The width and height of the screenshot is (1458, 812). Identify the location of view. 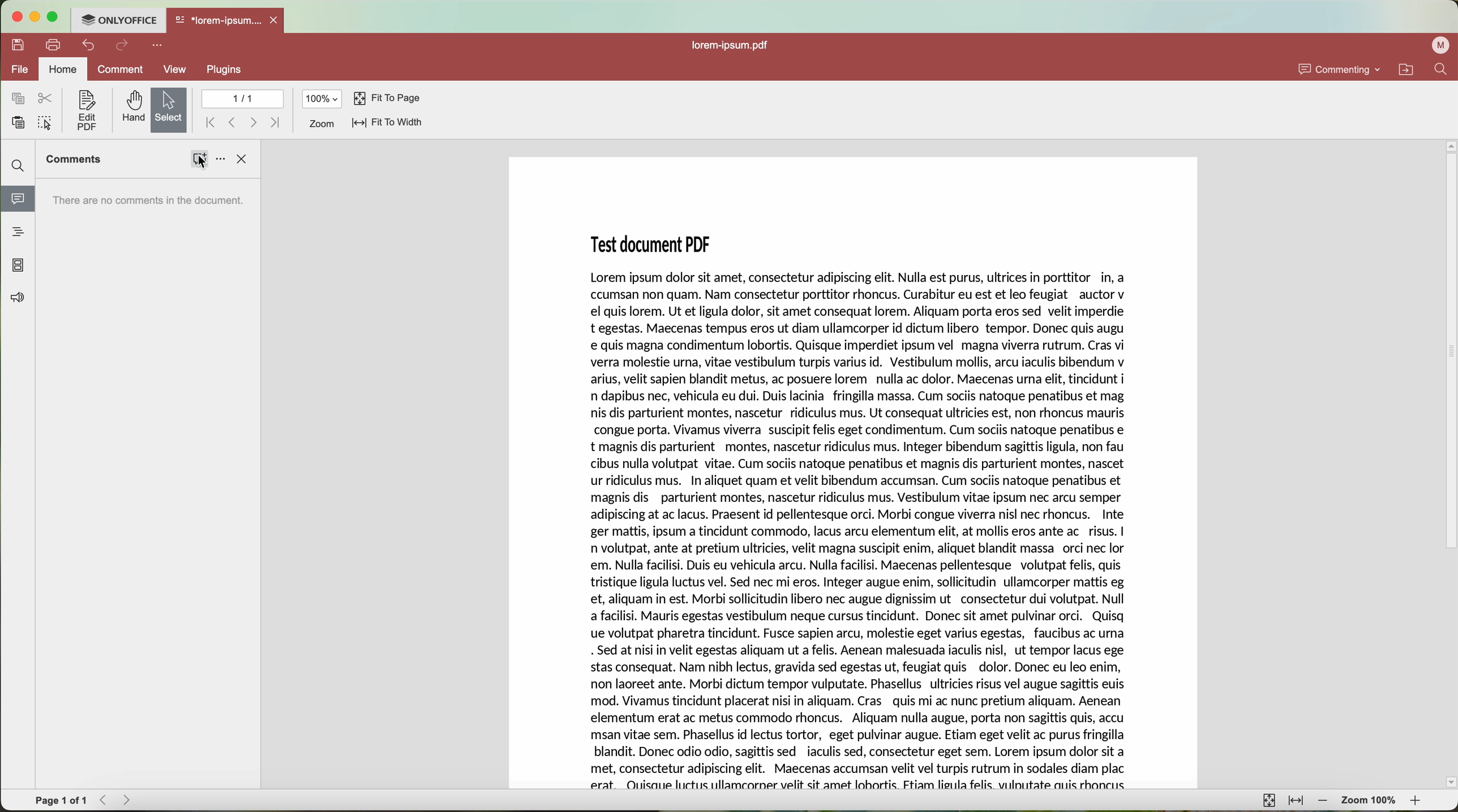
(177, 69).